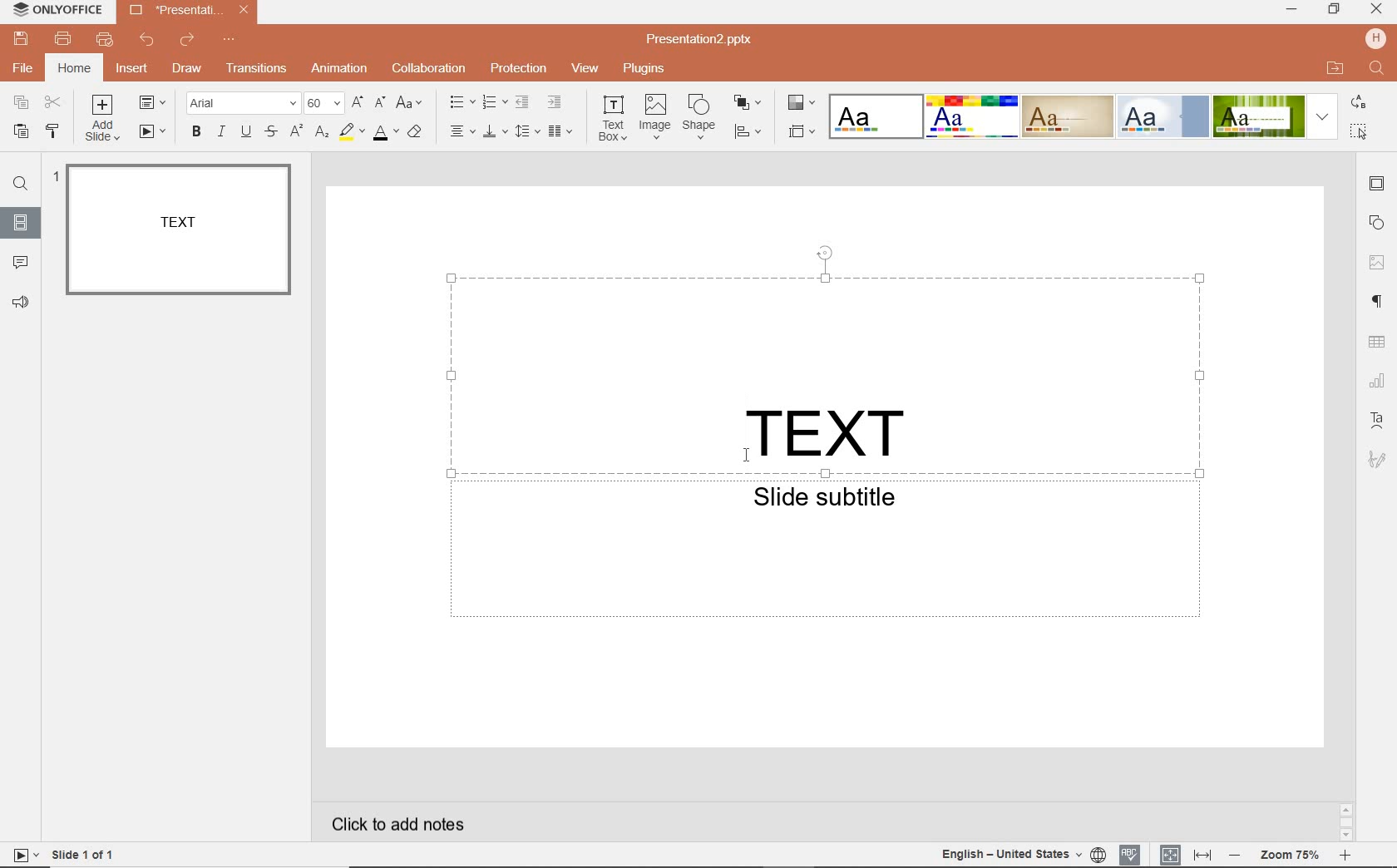  Describe the element at coordinates (827, 555) in the screenshot. I see `TEXT FIELD` at that location.